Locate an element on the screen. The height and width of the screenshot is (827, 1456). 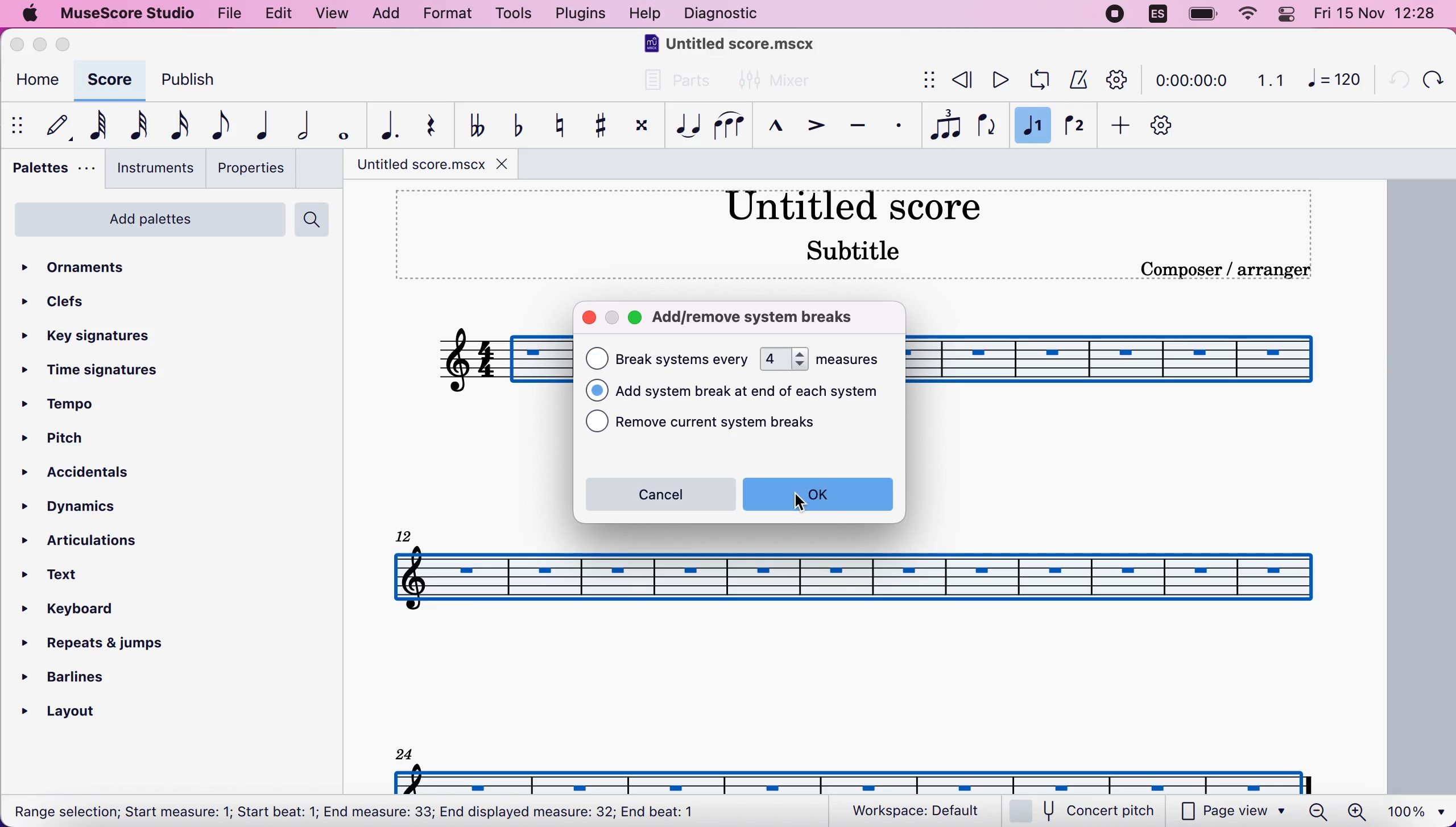
repeats and jumps is located at coordinates (94, 639).